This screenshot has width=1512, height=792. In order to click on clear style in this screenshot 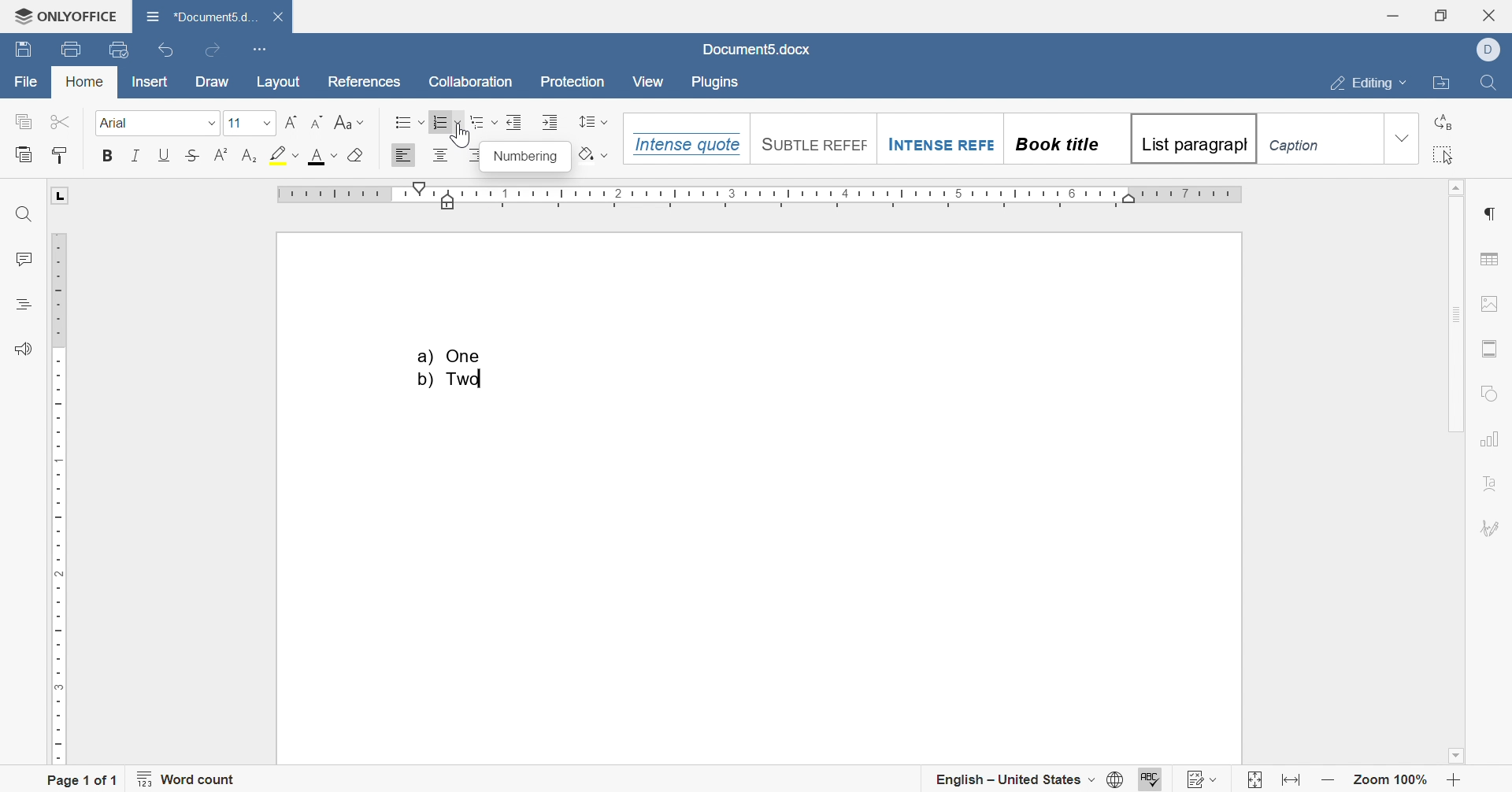, I will do `click(358, 155)`.